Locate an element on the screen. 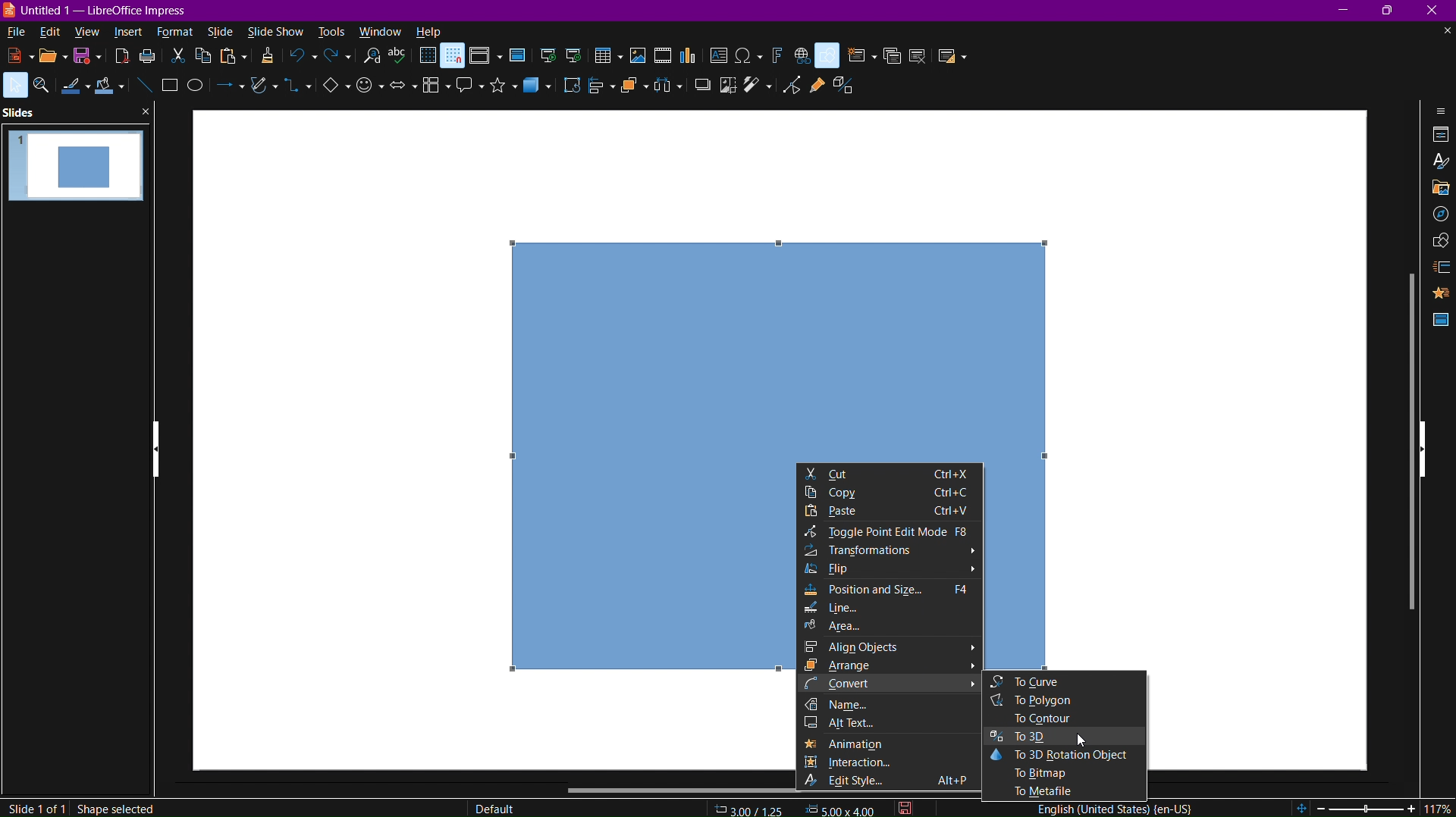 The width and height of the screenshot is (1456, 817). Edit Style is located at coordinates (891, 787).